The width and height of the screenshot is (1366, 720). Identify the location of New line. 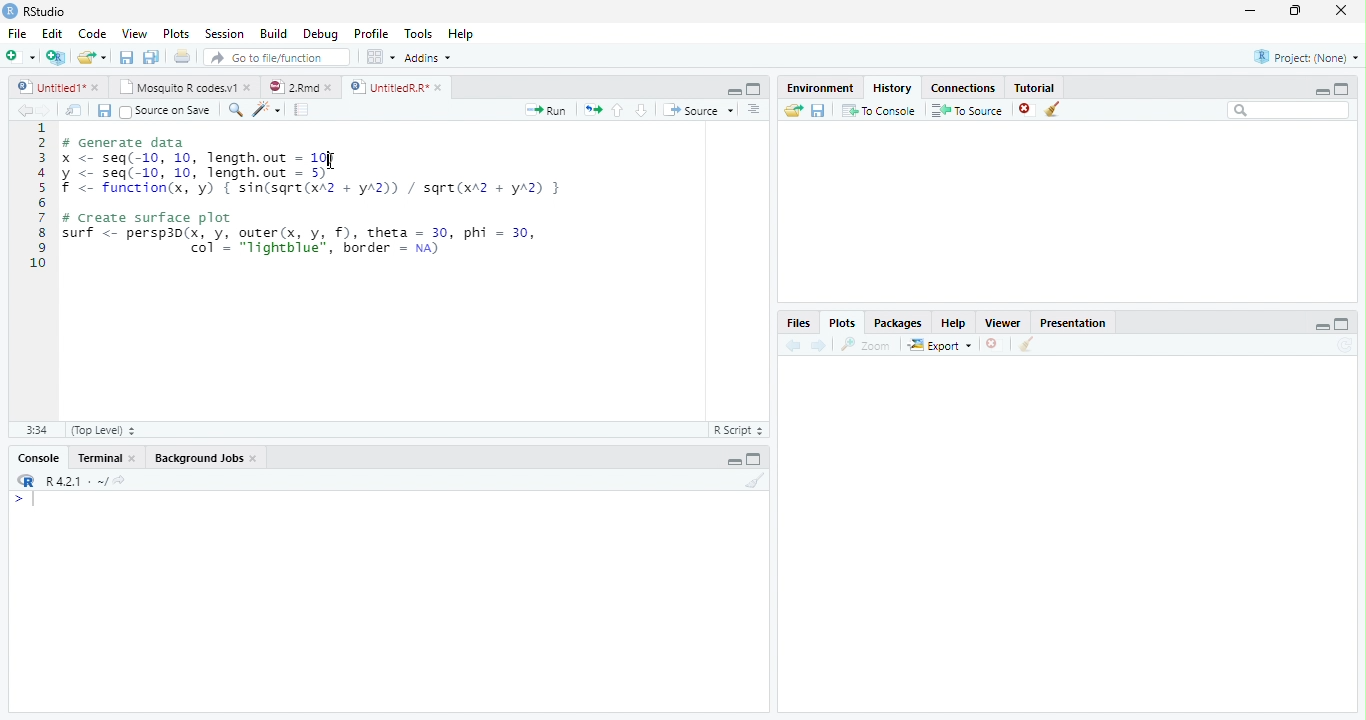
(24, 502).